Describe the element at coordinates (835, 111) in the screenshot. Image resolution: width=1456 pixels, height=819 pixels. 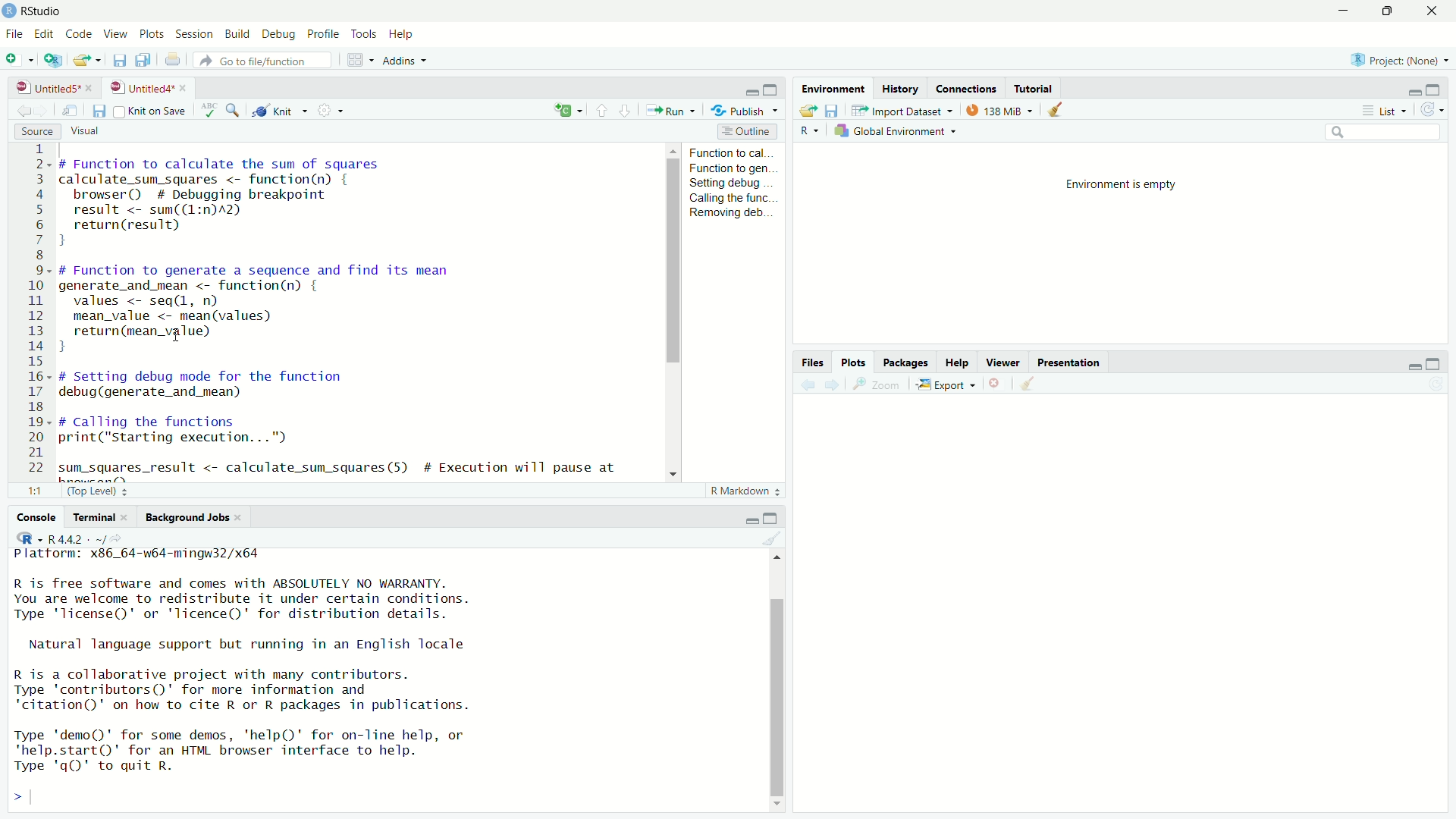
I see `save workspace as` at that location.